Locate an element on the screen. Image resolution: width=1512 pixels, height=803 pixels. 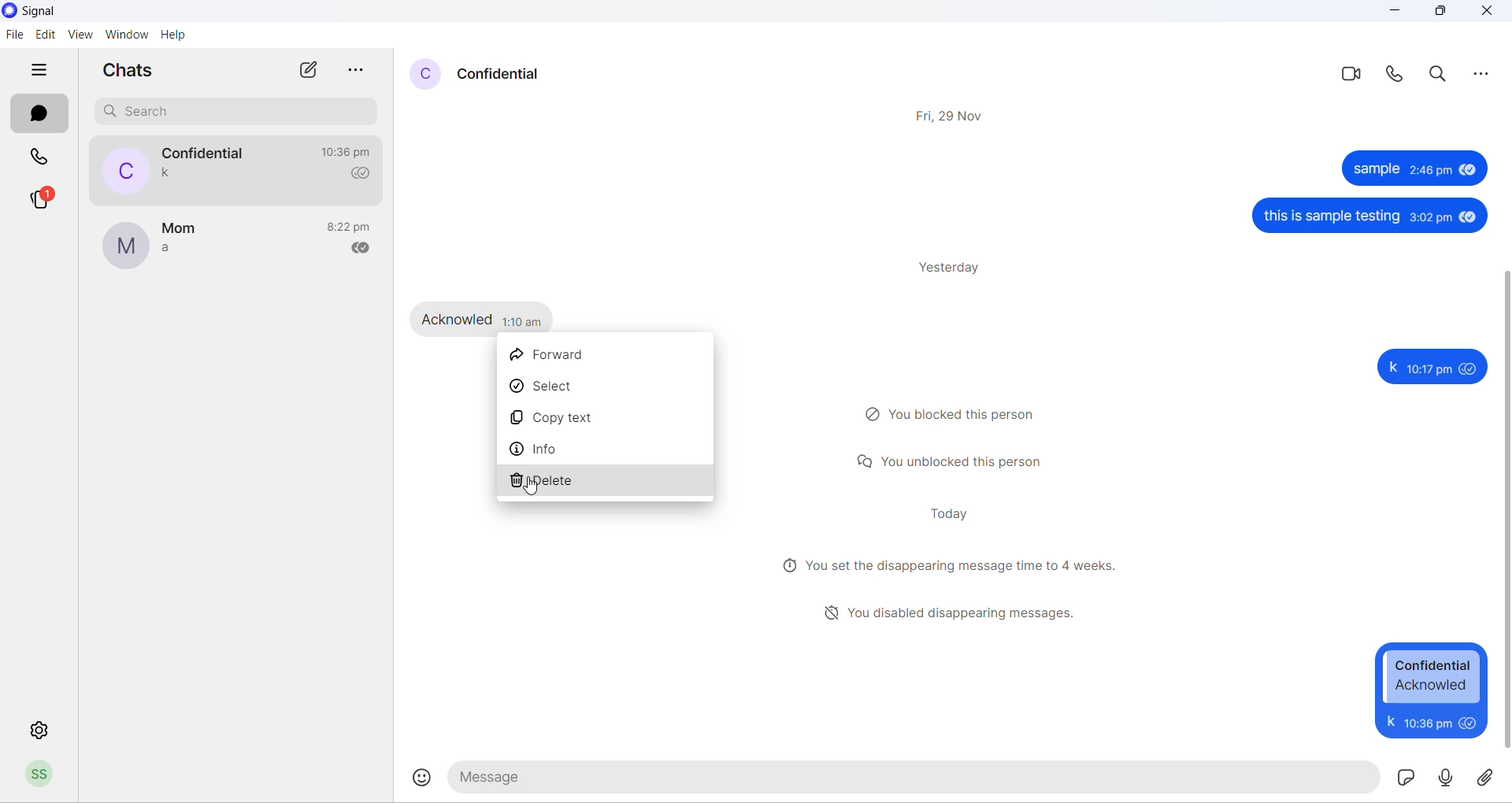
search in chat is located at coordinates (1440, 75).